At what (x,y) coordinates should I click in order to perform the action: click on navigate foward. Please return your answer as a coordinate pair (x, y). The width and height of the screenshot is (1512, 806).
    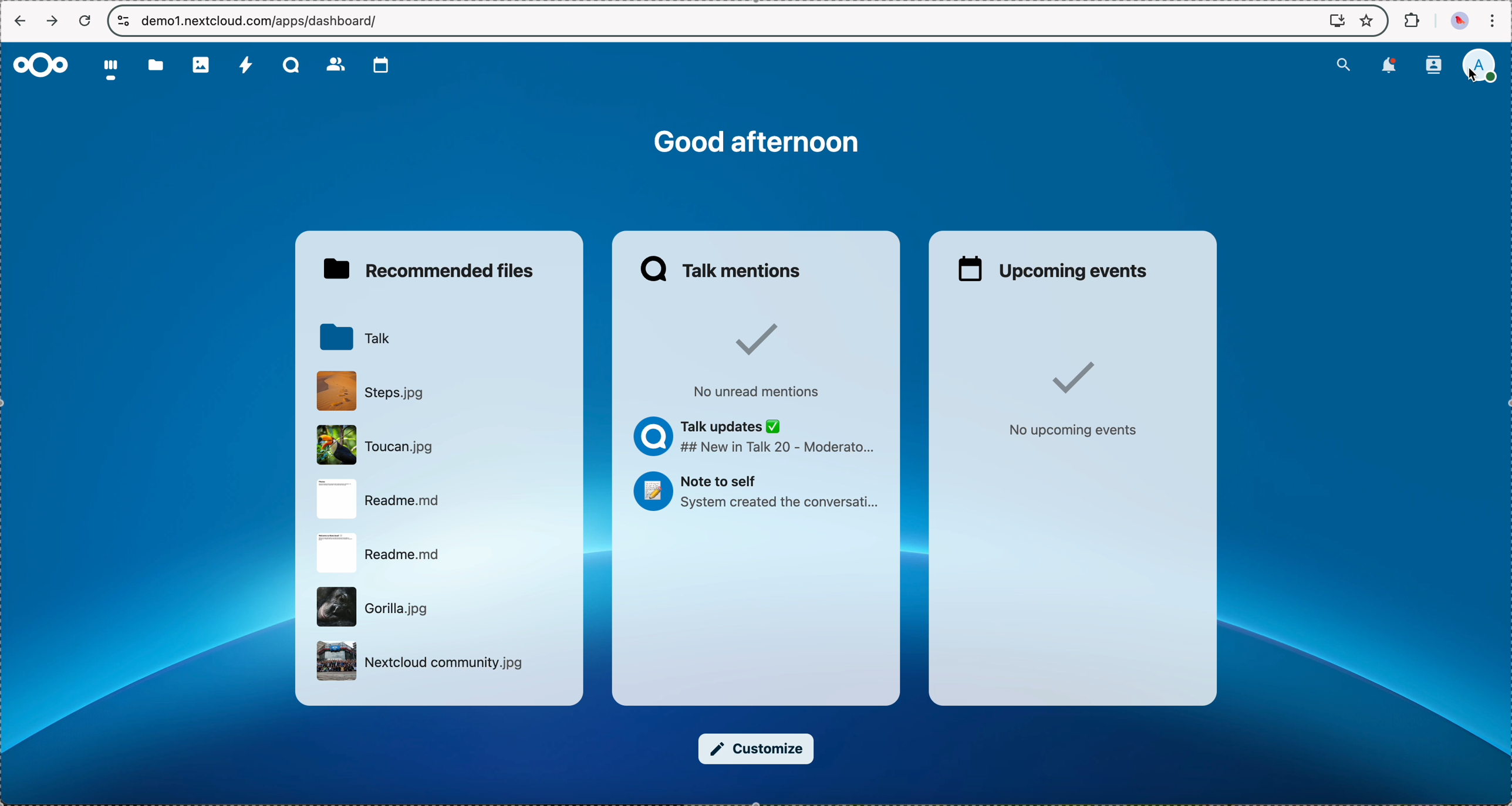
    Looking at the image, I should click on (53, 20).